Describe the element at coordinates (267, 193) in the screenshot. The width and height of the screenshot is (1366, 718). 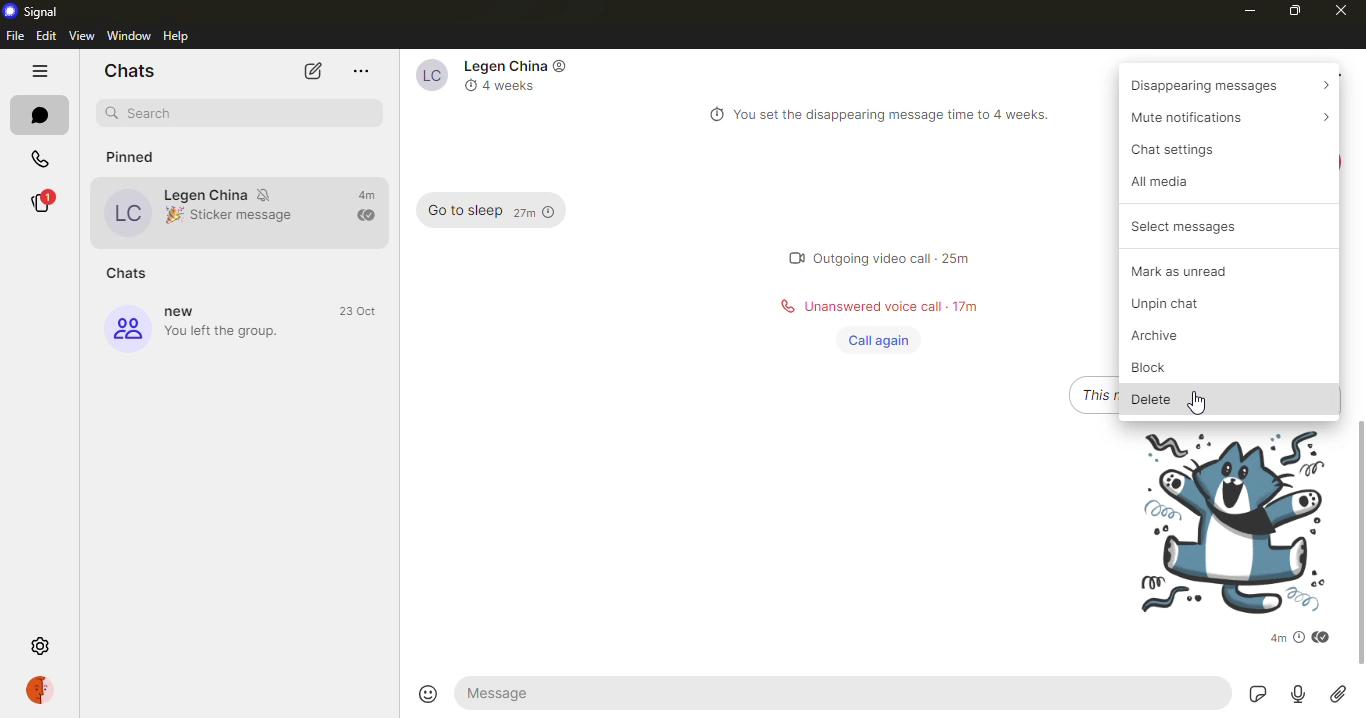
I see `mute notifications` at that location.